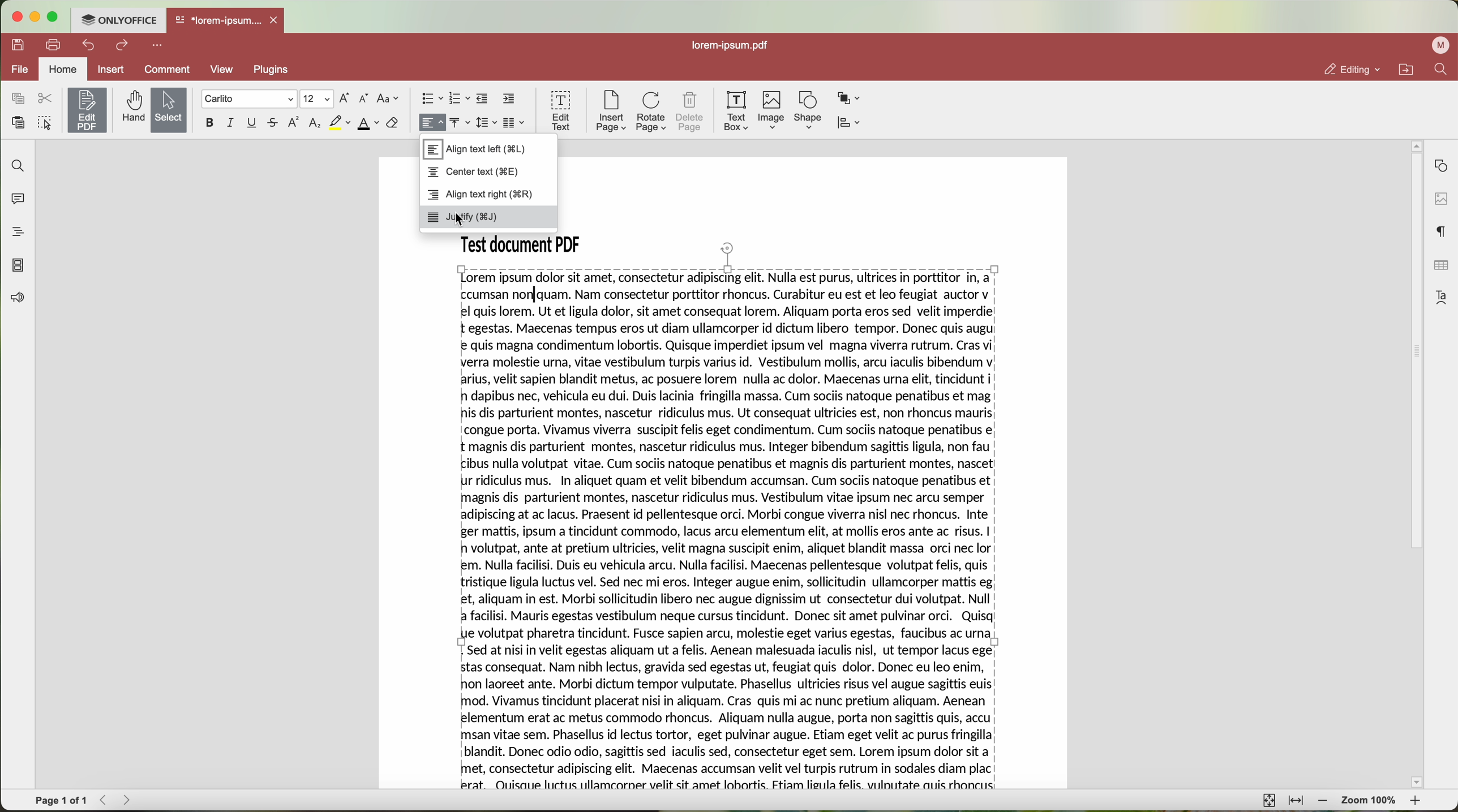  What do you see at coordinates (1412, 467) in the screenshot?
I see `scroll bar` at bounding box center [1412, 467].